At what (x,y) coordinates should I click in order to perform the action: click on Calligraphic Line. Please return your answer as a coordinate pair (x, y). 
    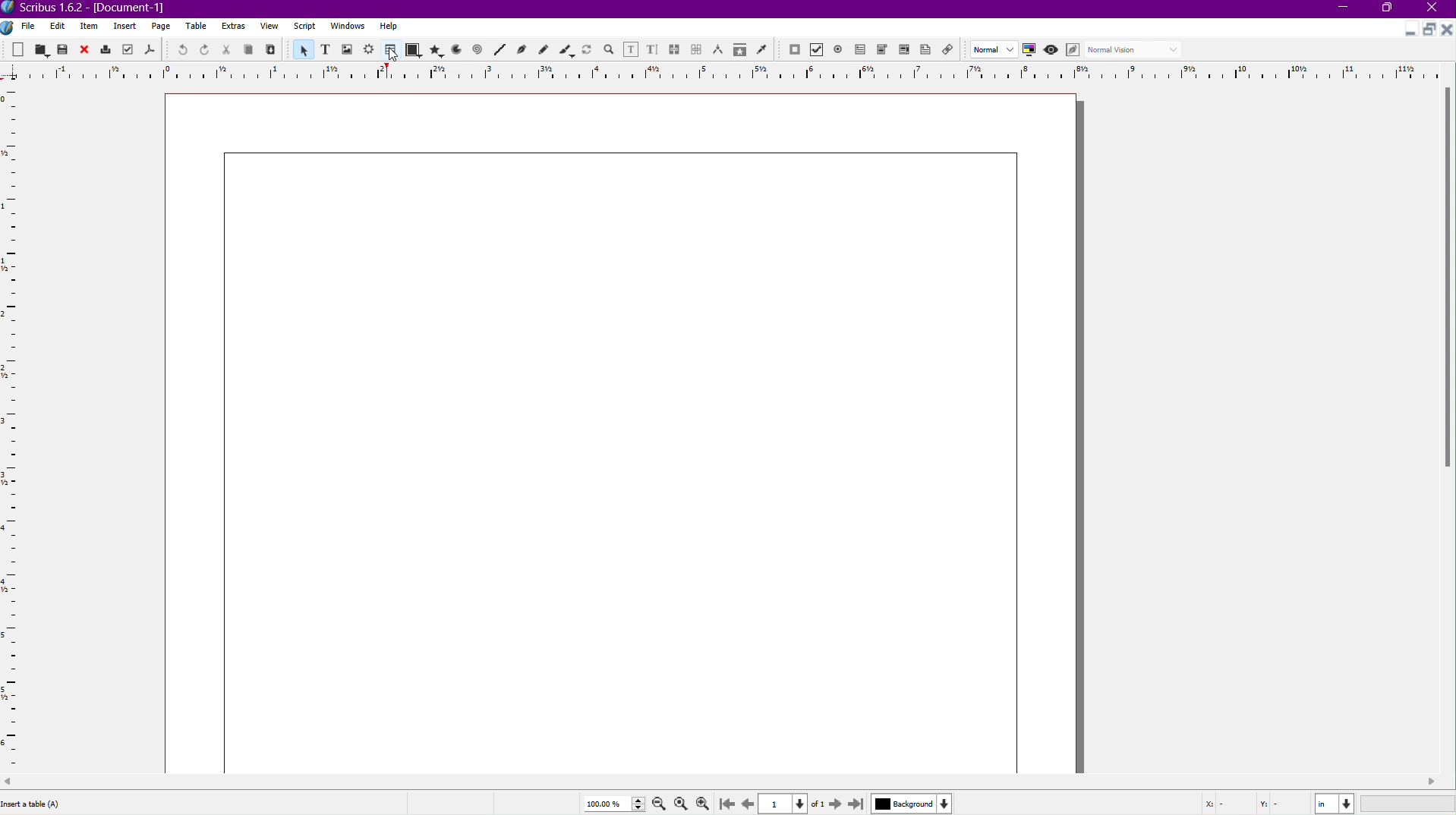
    Looking at the image, I should click on (566, 49).